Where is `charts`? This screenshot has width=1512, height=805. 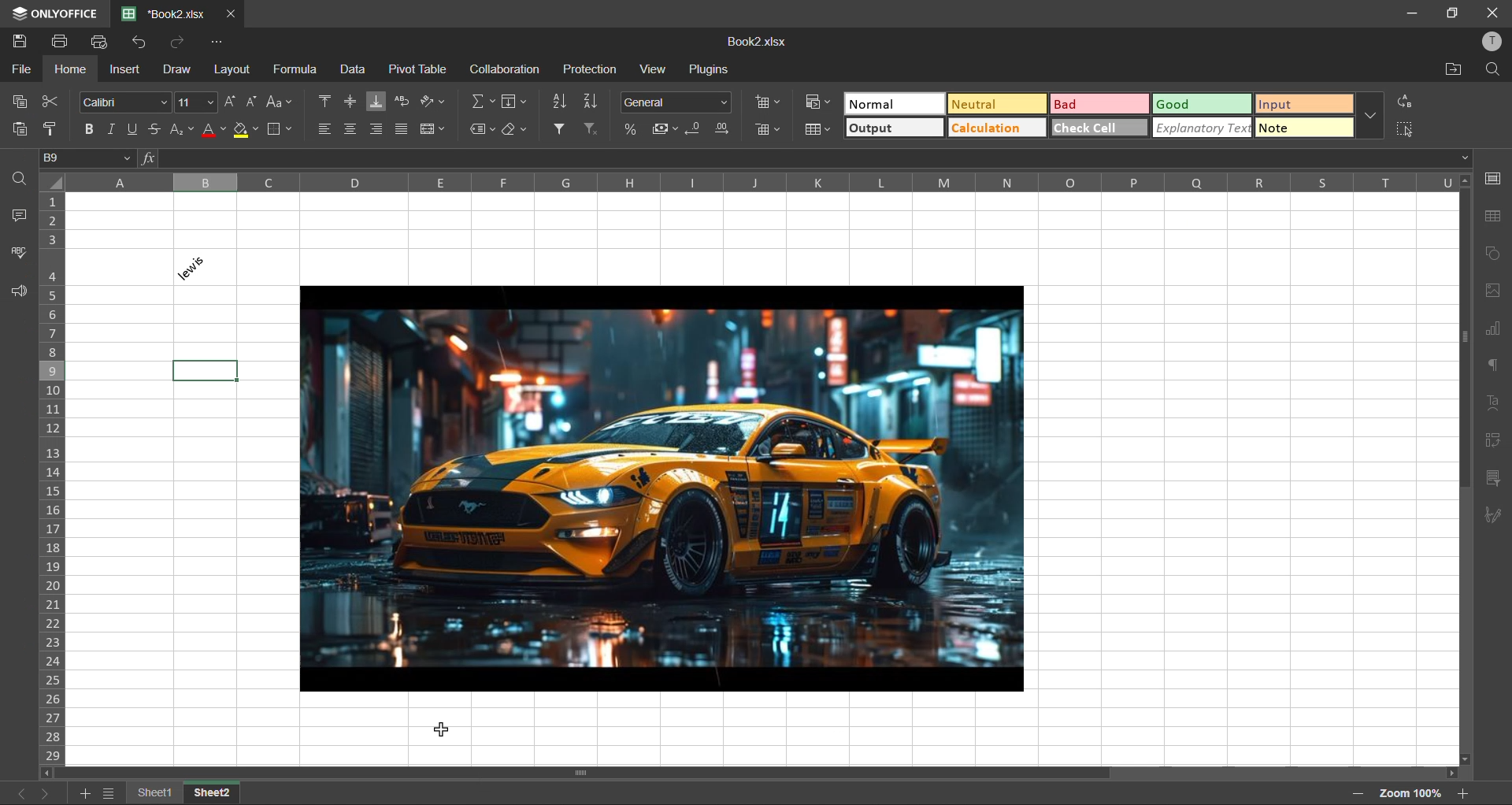
charts is located at coordinates (1492, 329).